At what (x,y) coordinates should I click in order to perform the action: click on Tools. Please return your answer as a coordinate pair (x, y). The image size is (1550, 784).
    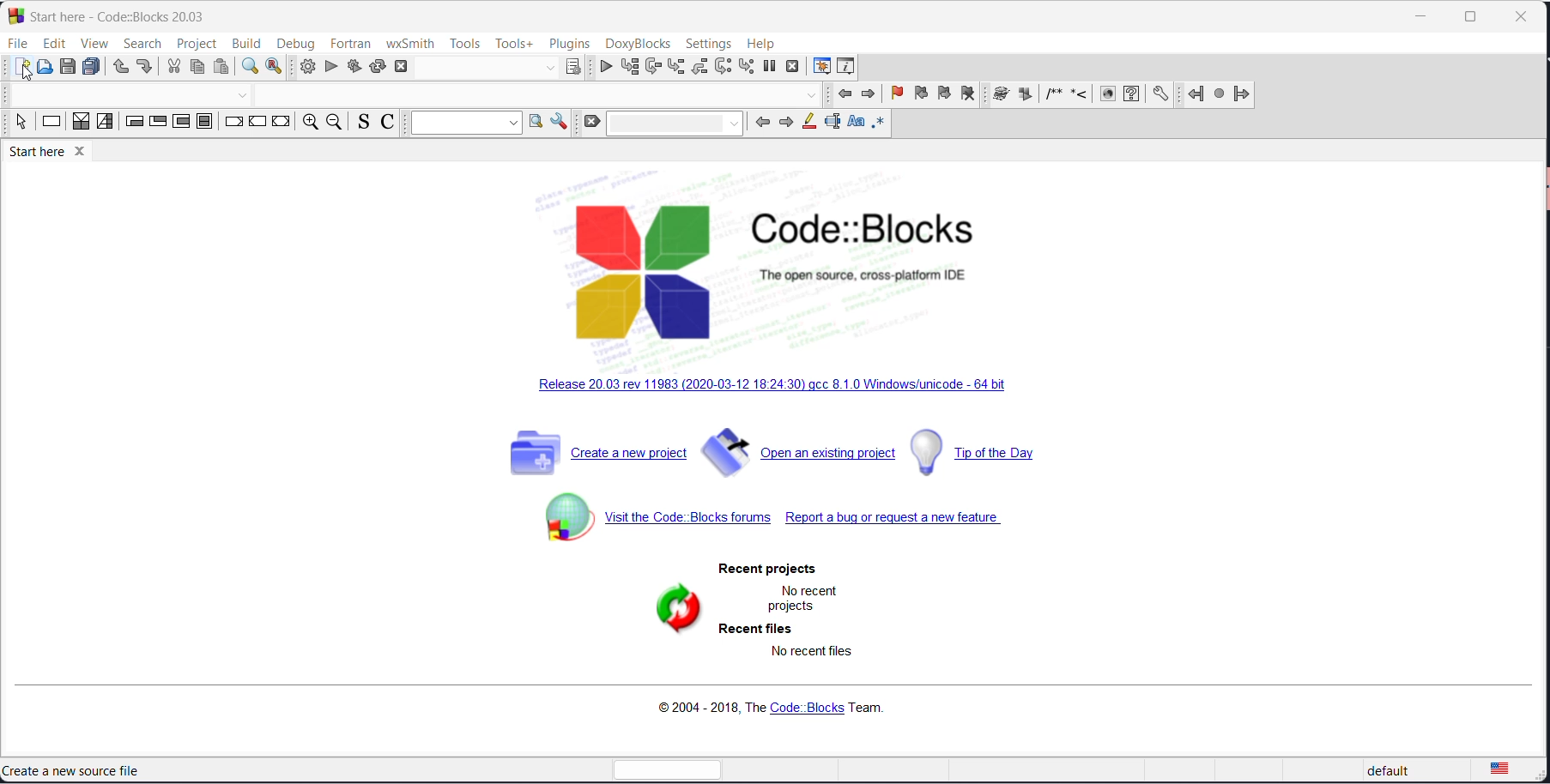
    Looking at the image, I should click on (464, 43).